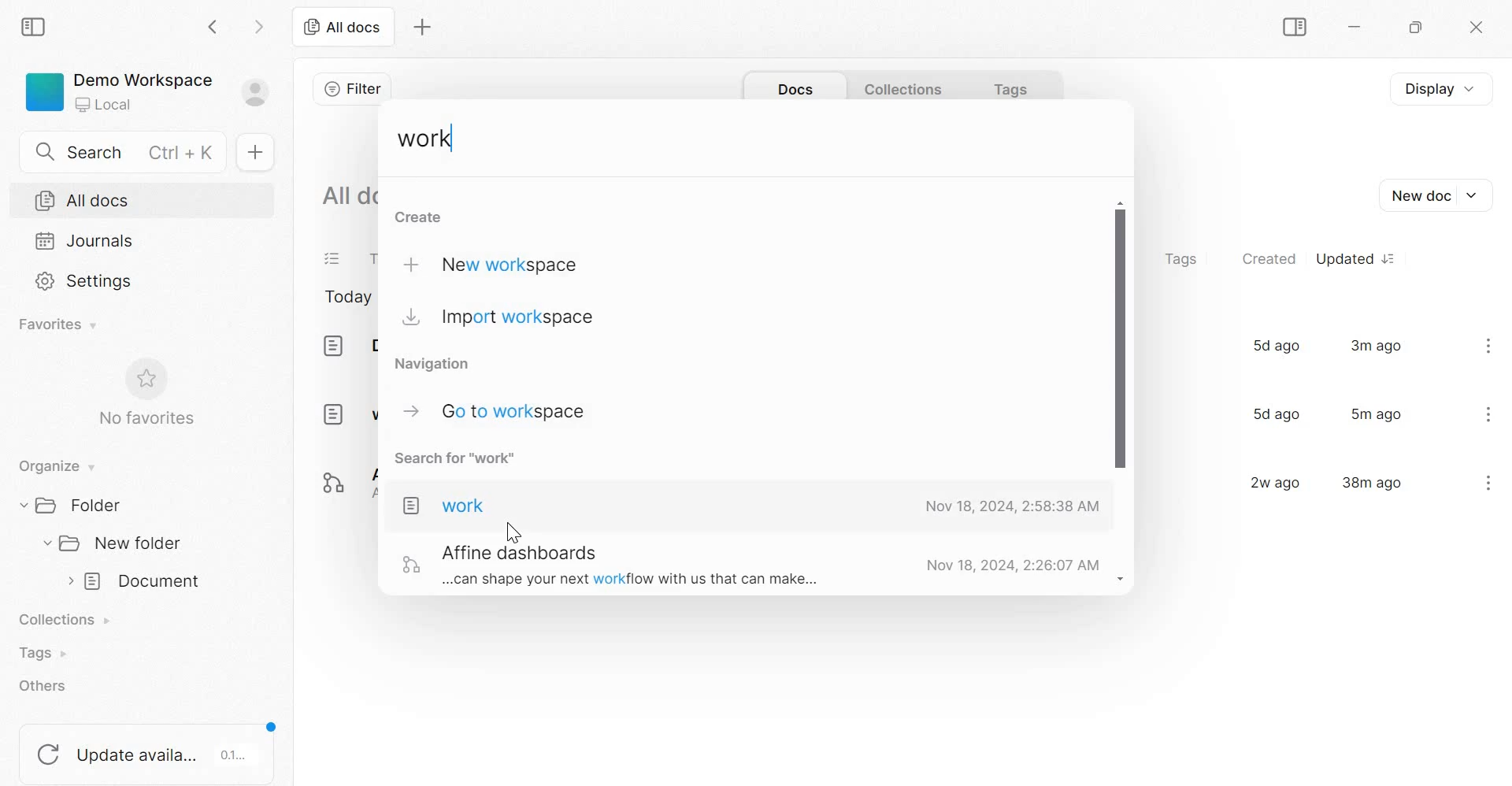 The image size is (1512, 786). I want to click on Sidebar Toggle, so click(1291, 28).